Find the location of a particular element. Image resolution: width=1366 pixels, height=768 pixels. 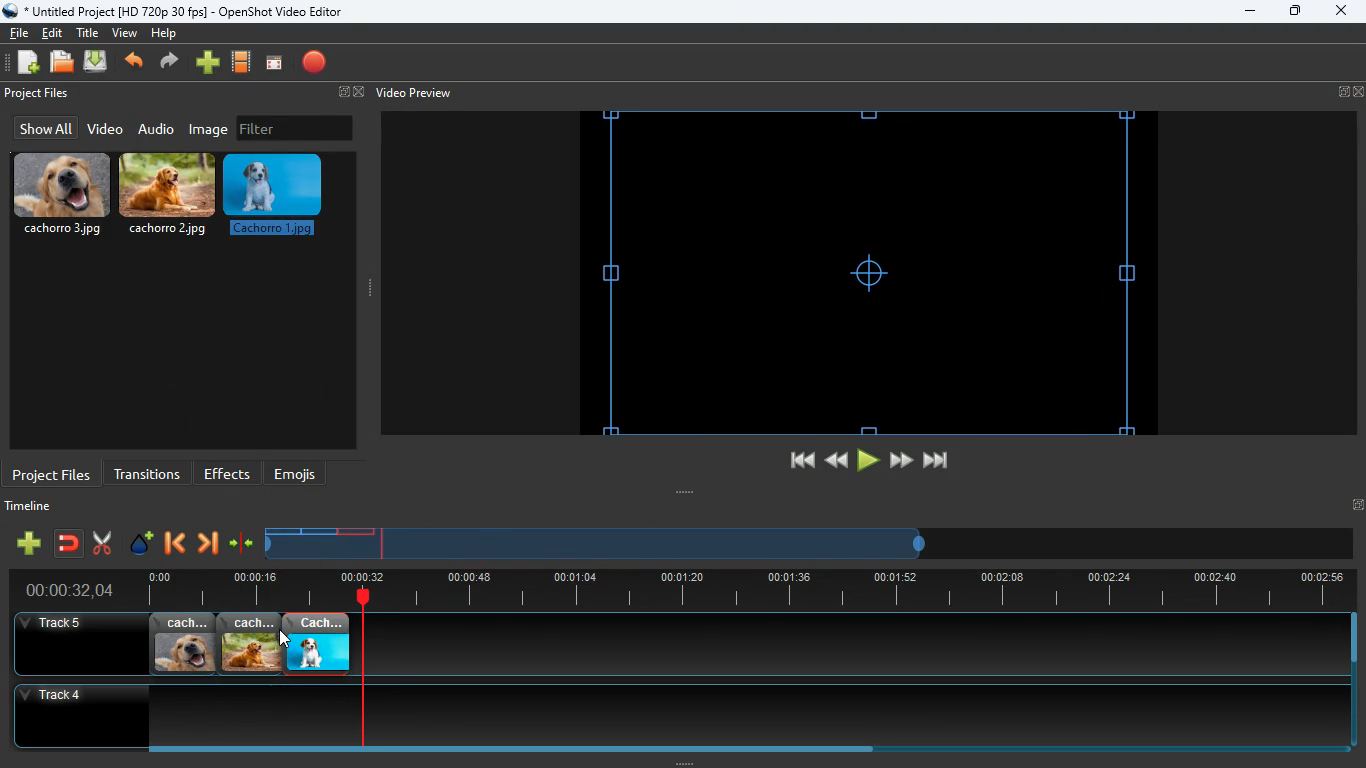

film is located at coordinates (242, 63).